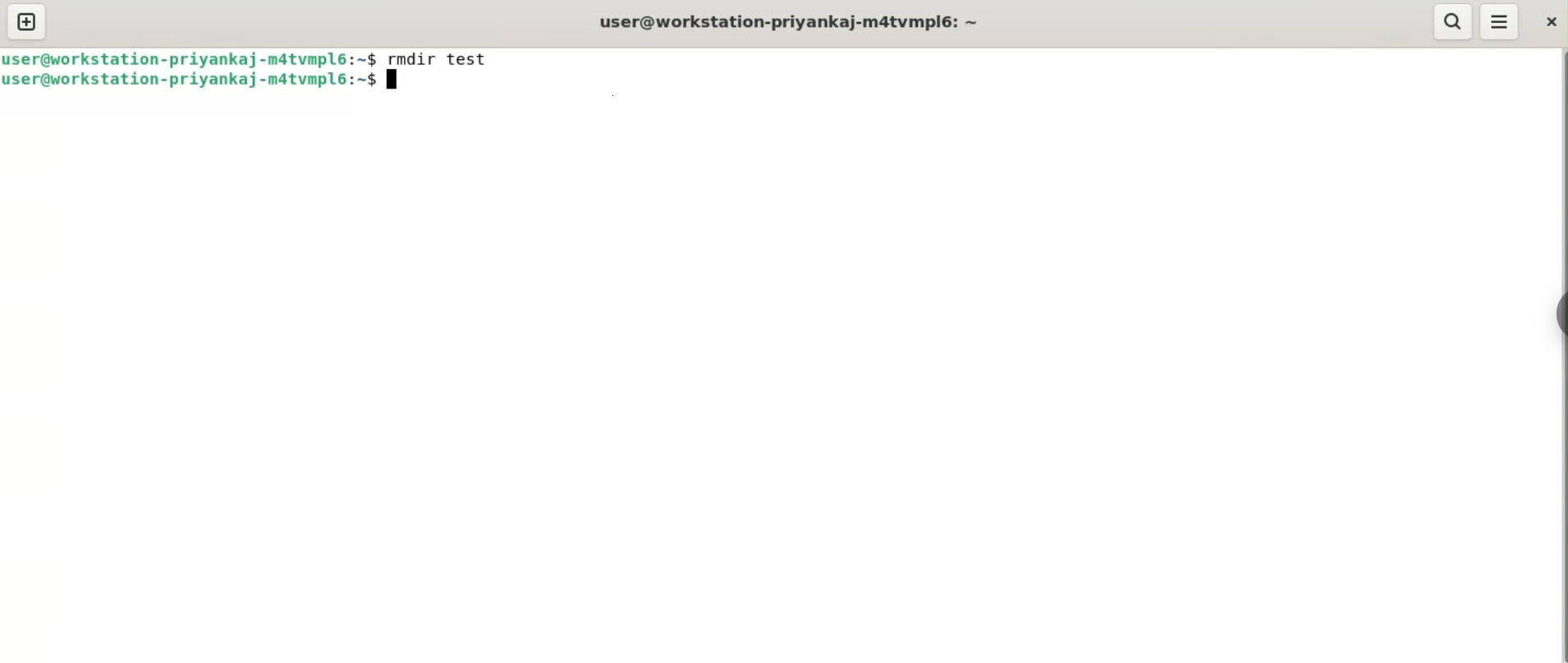 This screenshot has width=1568, height=663. What do you see at coordinates (200, 80) in the screenshot?
I see `user@workstation-priyankaj-m4tvmpl6: ~$` at bounding box center [200, 80].